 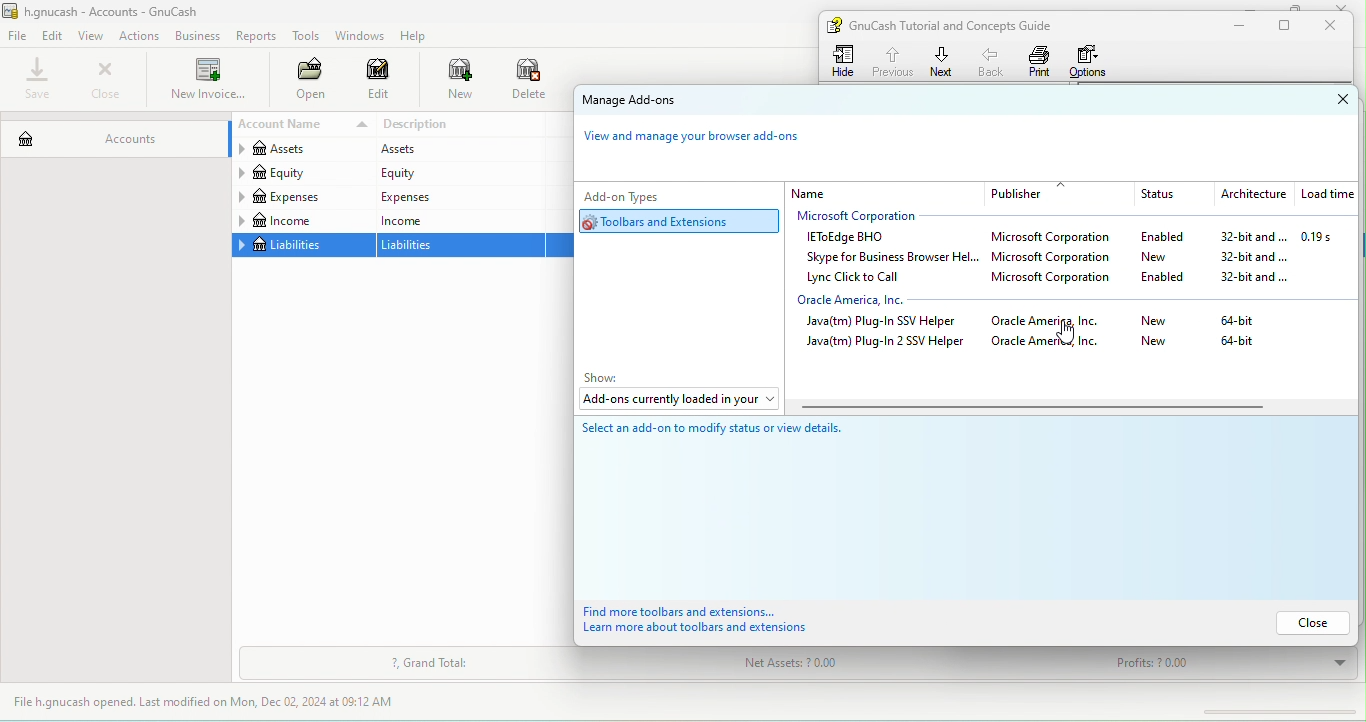 What do you see at coordinates (1168, 195) in the screenshot?
I see `status` at bounding box center [1168, 195].